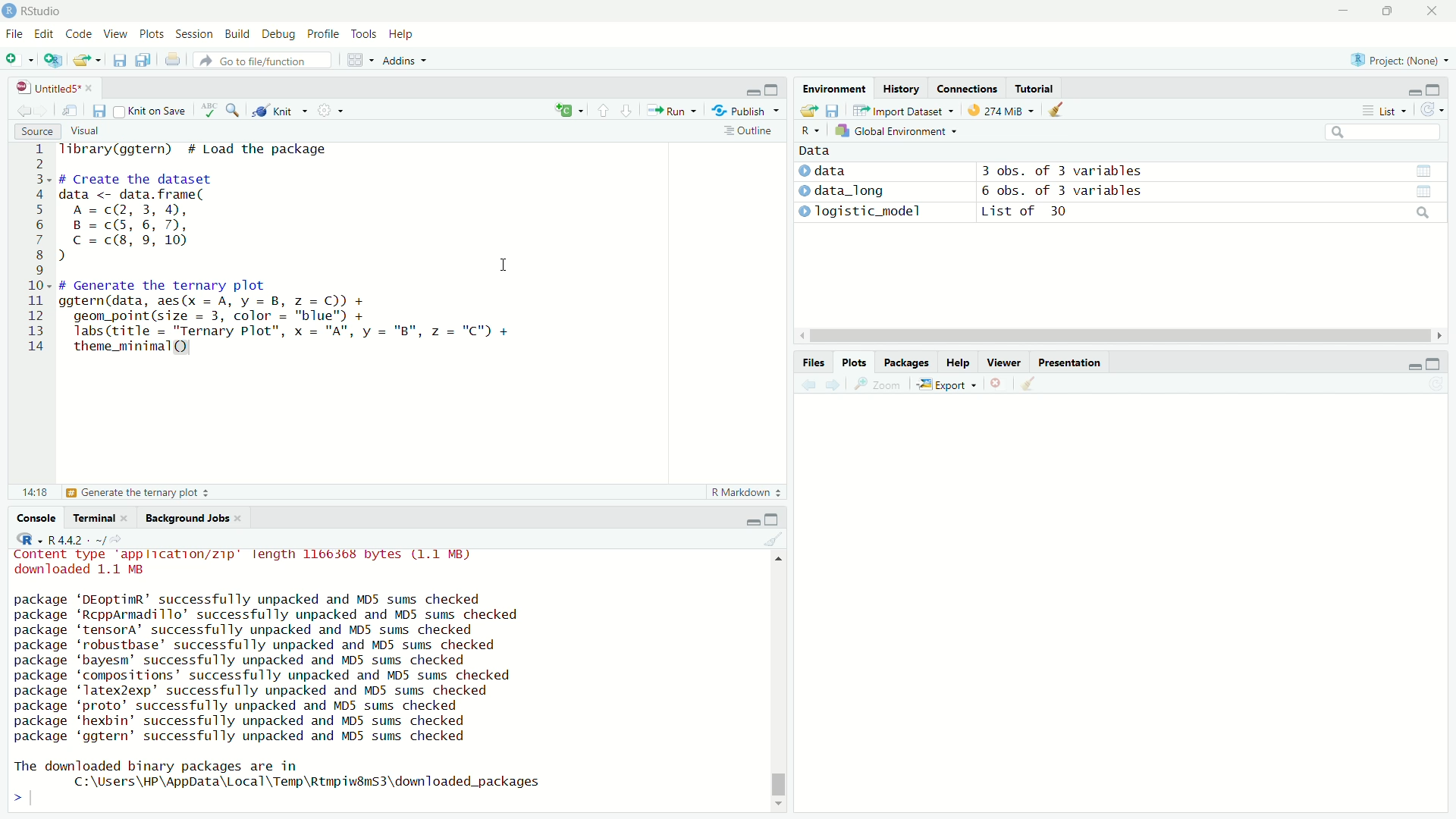 Image resolution: width=1456 pixels, height=819 pixels. What do you see at coordinates (156, 111) in the screenshot?
I see `Knit on Save` at bounding box center [156, 111].